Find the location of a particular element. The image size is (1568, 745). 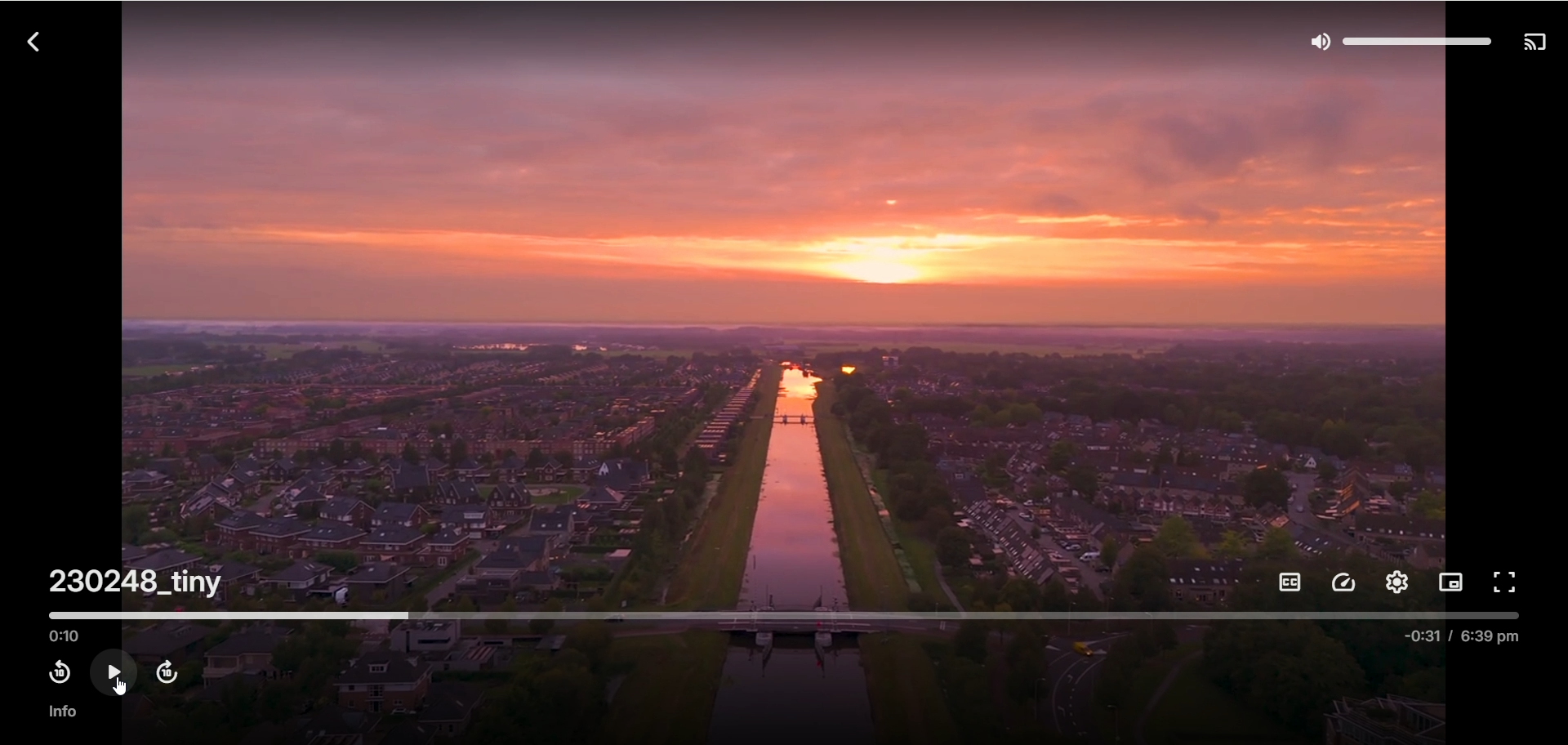

volume is located at coordinates (1400, 39).